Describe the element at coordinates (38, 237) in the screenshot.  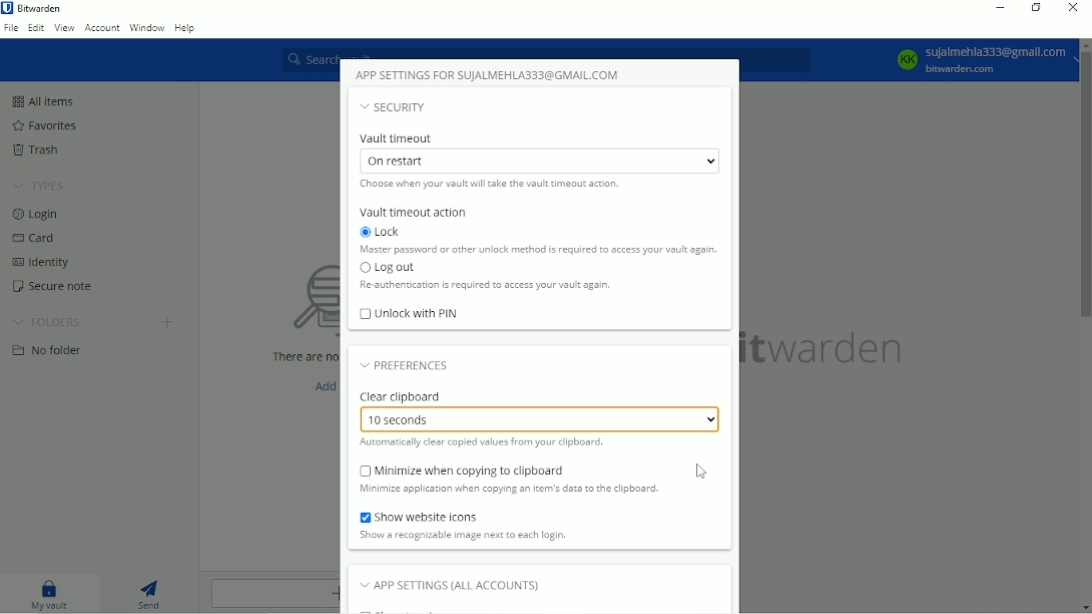
I see `Card` at that location.